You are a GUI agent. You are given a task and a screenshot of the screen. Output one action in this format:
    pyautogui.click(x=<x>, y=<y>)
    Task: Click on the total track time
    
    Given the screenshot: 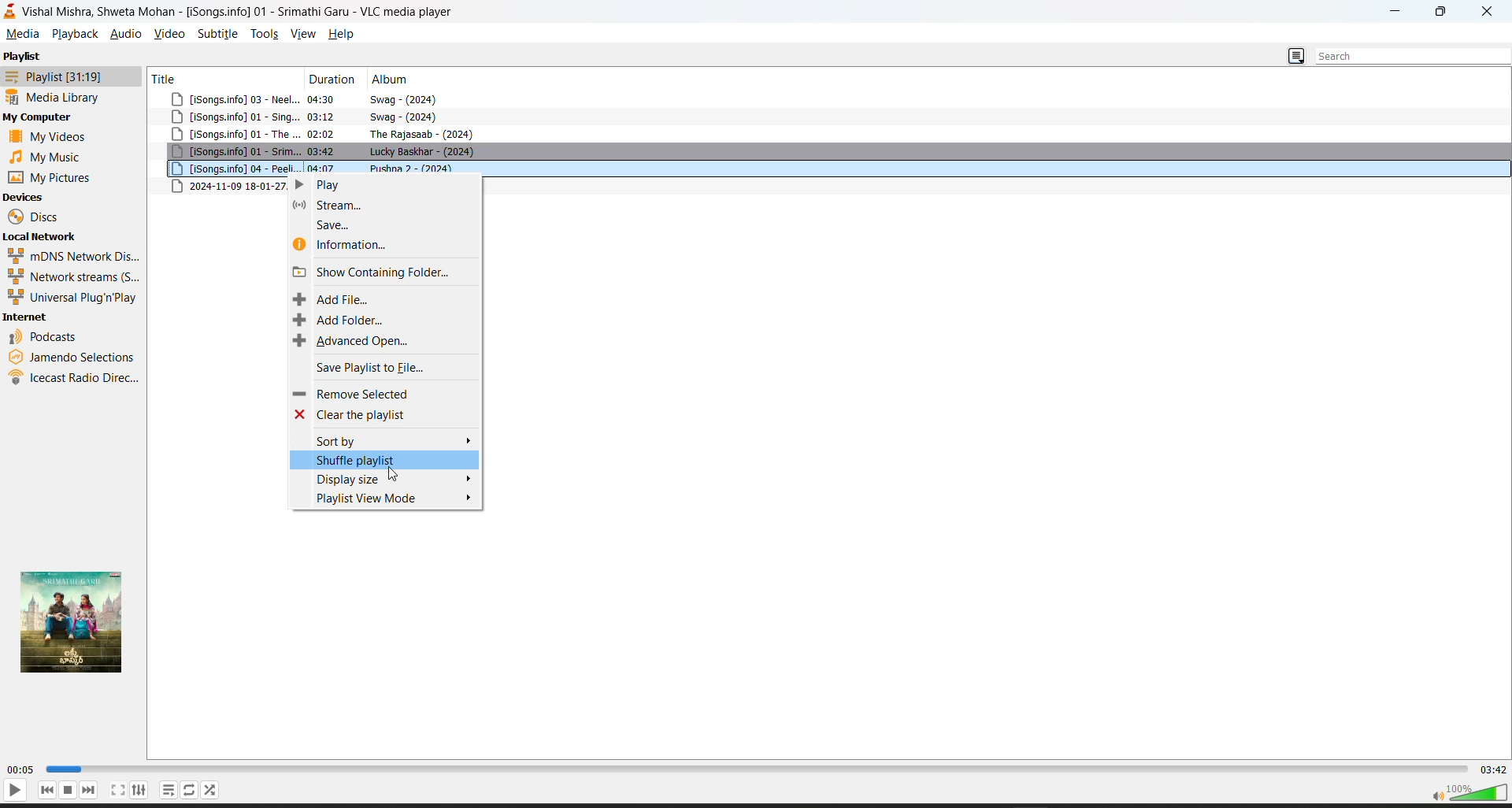 What is the action you would take?
    pyautogui.click(x=1496, y=769)
    